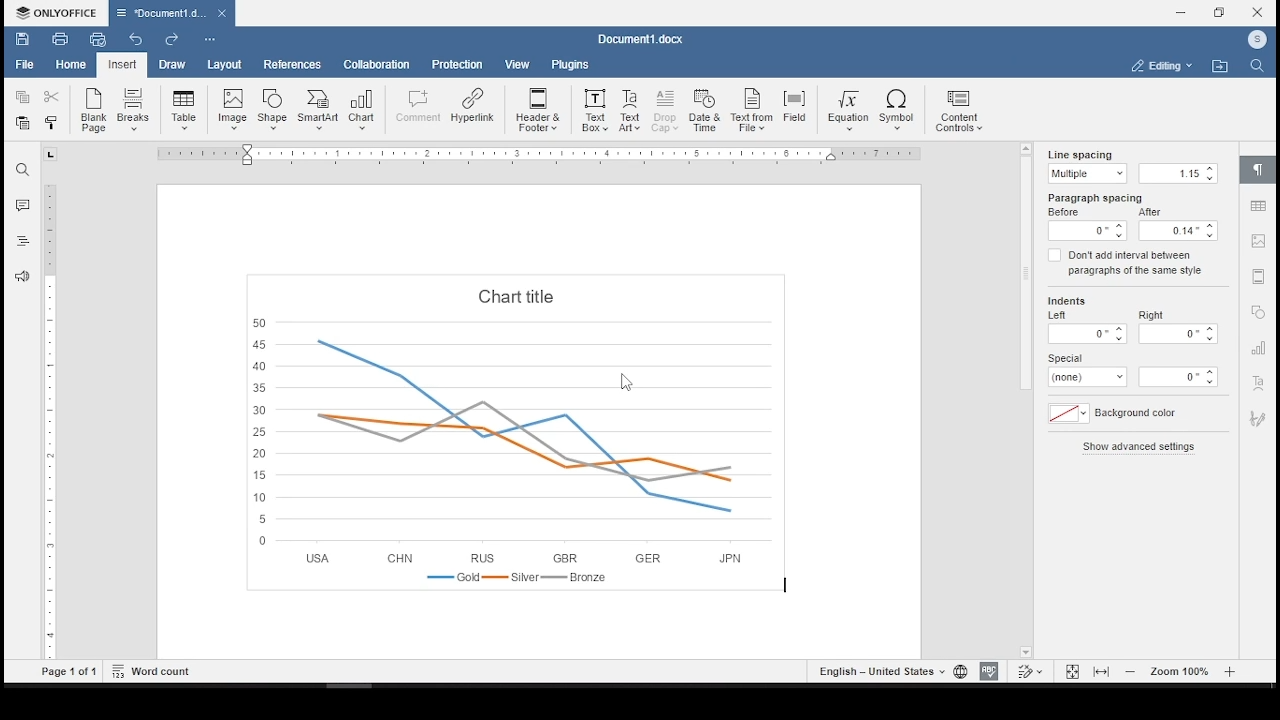 The height and width of the screenshot is (720, 1280). Describe the element at coordinates (123, 64) in the screenshot. I see `insert` at that location.